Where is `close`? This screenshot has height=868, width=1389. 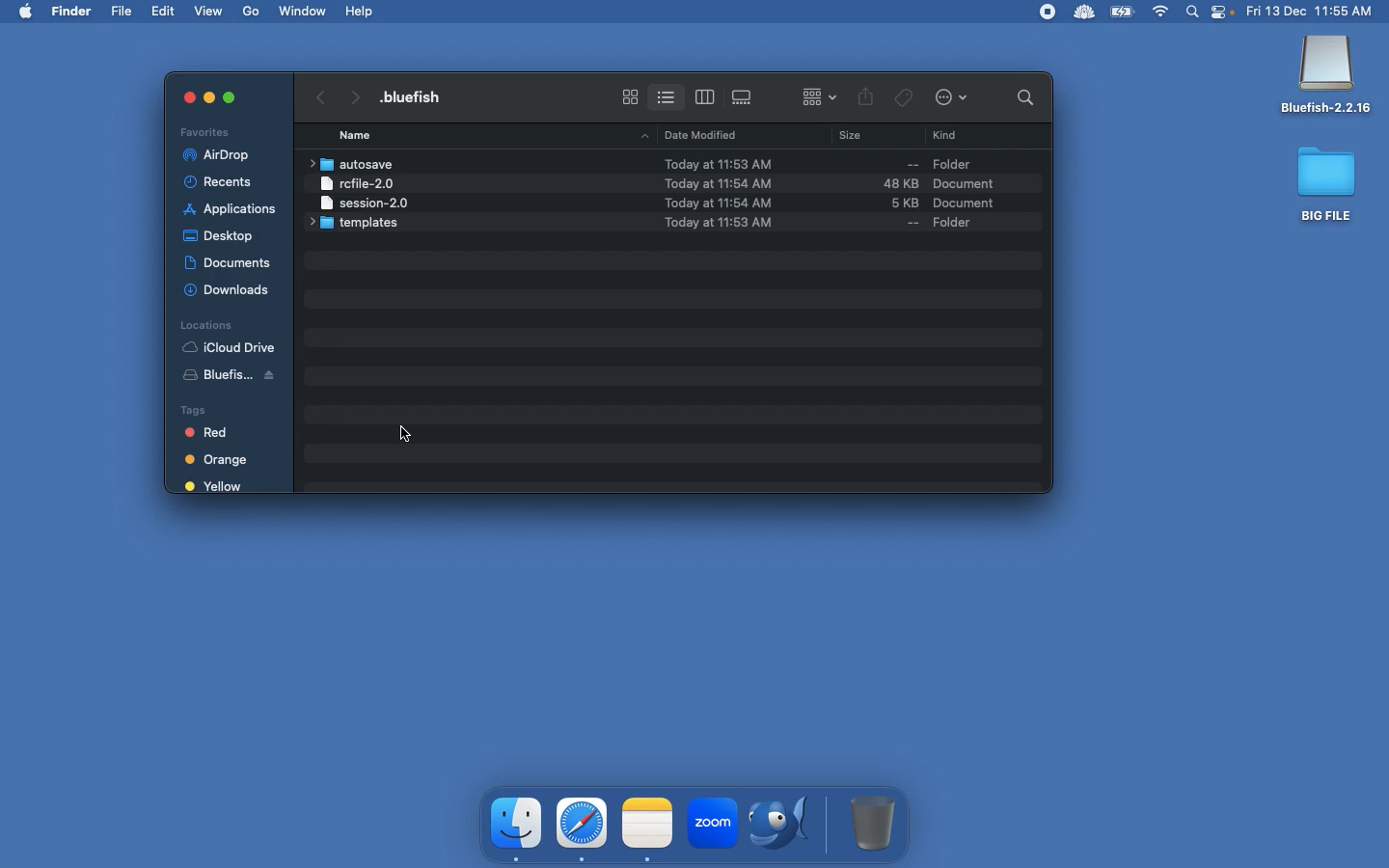 close is located at coordinates (179, 96).